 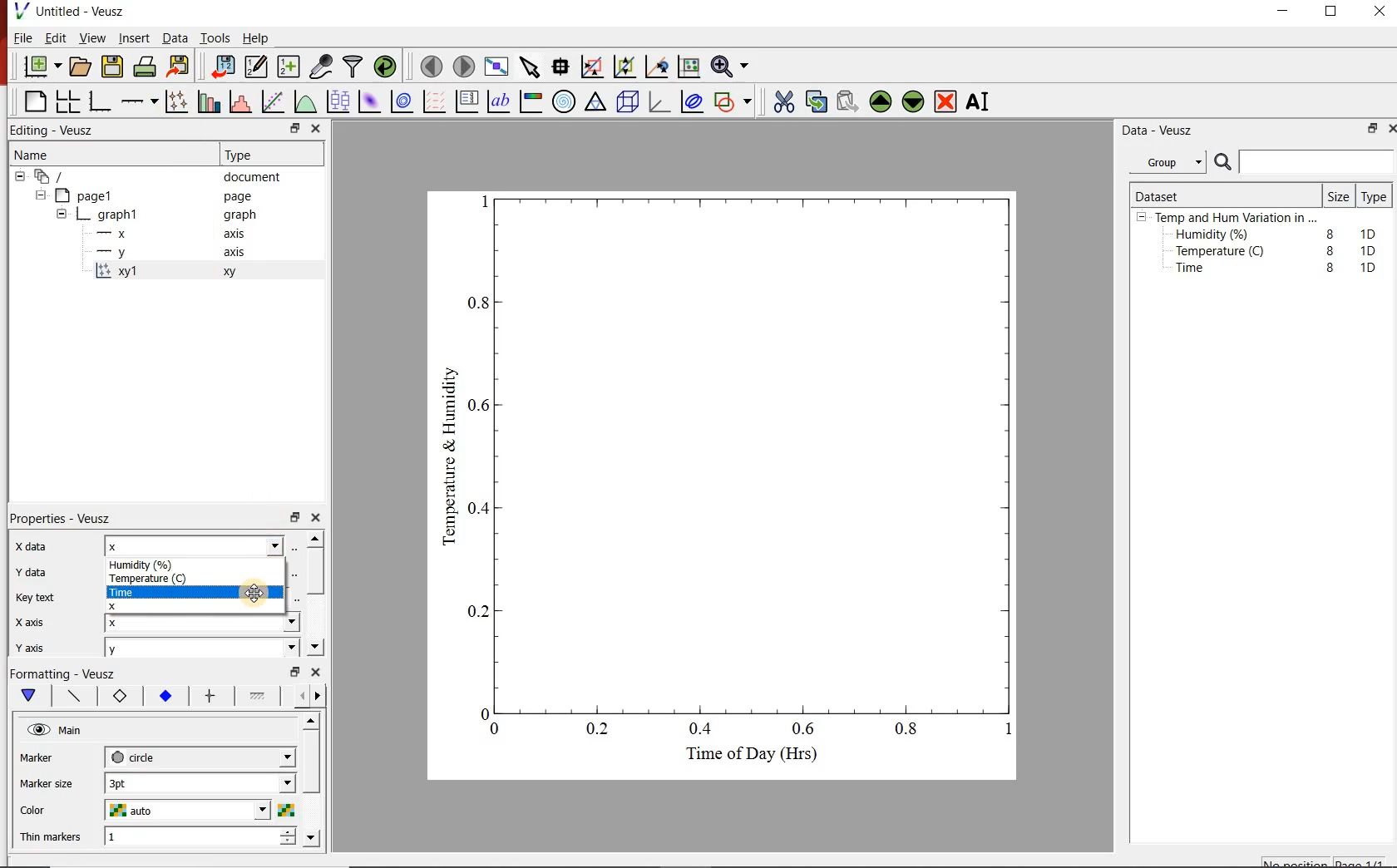 I want to click on graph, so click(x=119, y=214).